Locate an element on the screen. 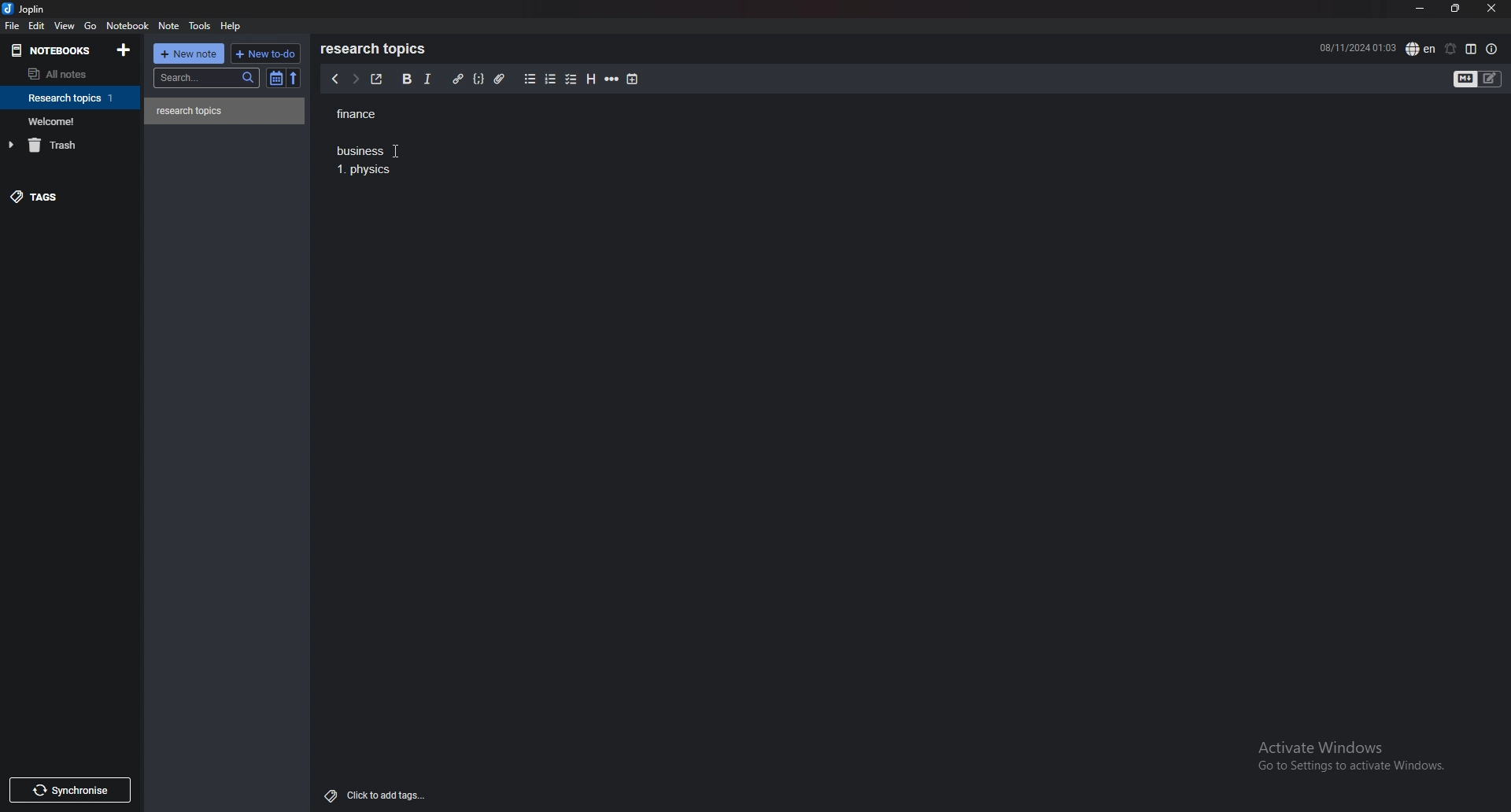 This screenshot has width=1511, height=812. previous is located at coordinates (335, 80).